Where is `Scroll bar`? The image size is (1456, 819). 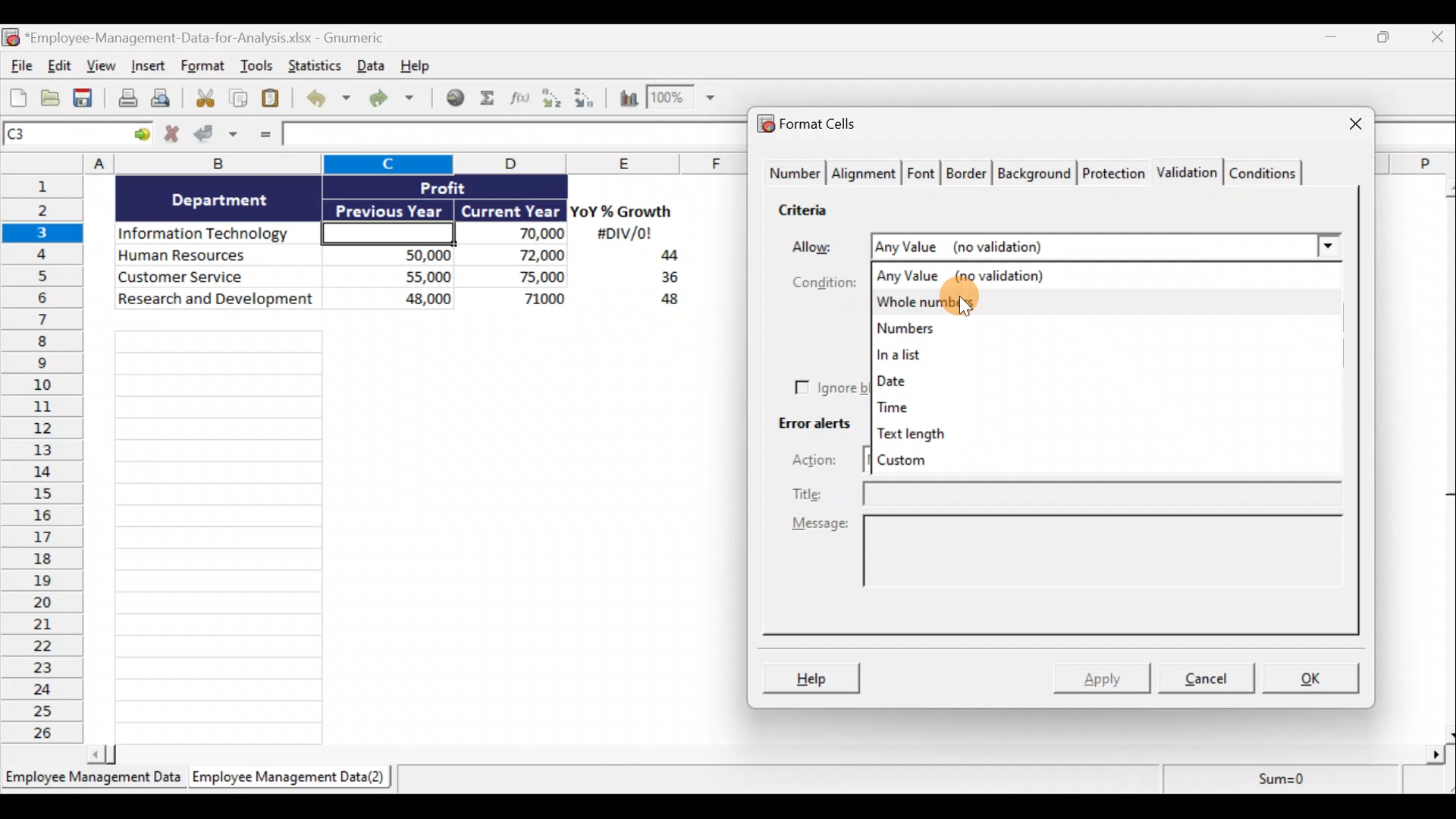
Scroll bar is located at coordinates (1443, 457).